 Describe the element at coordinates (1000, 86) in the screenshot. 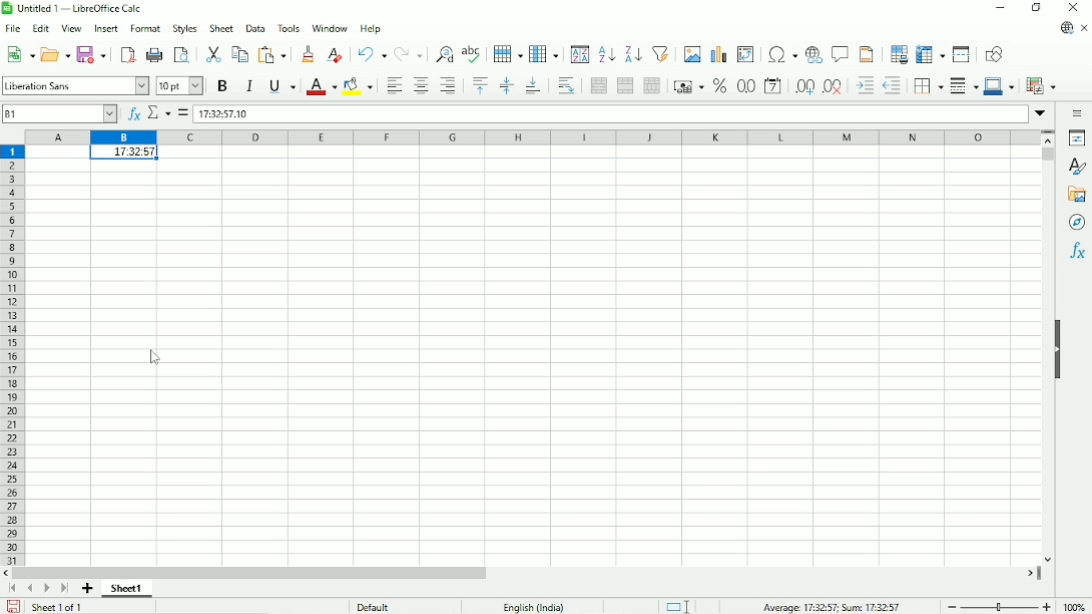

I see `Border color` at that location.